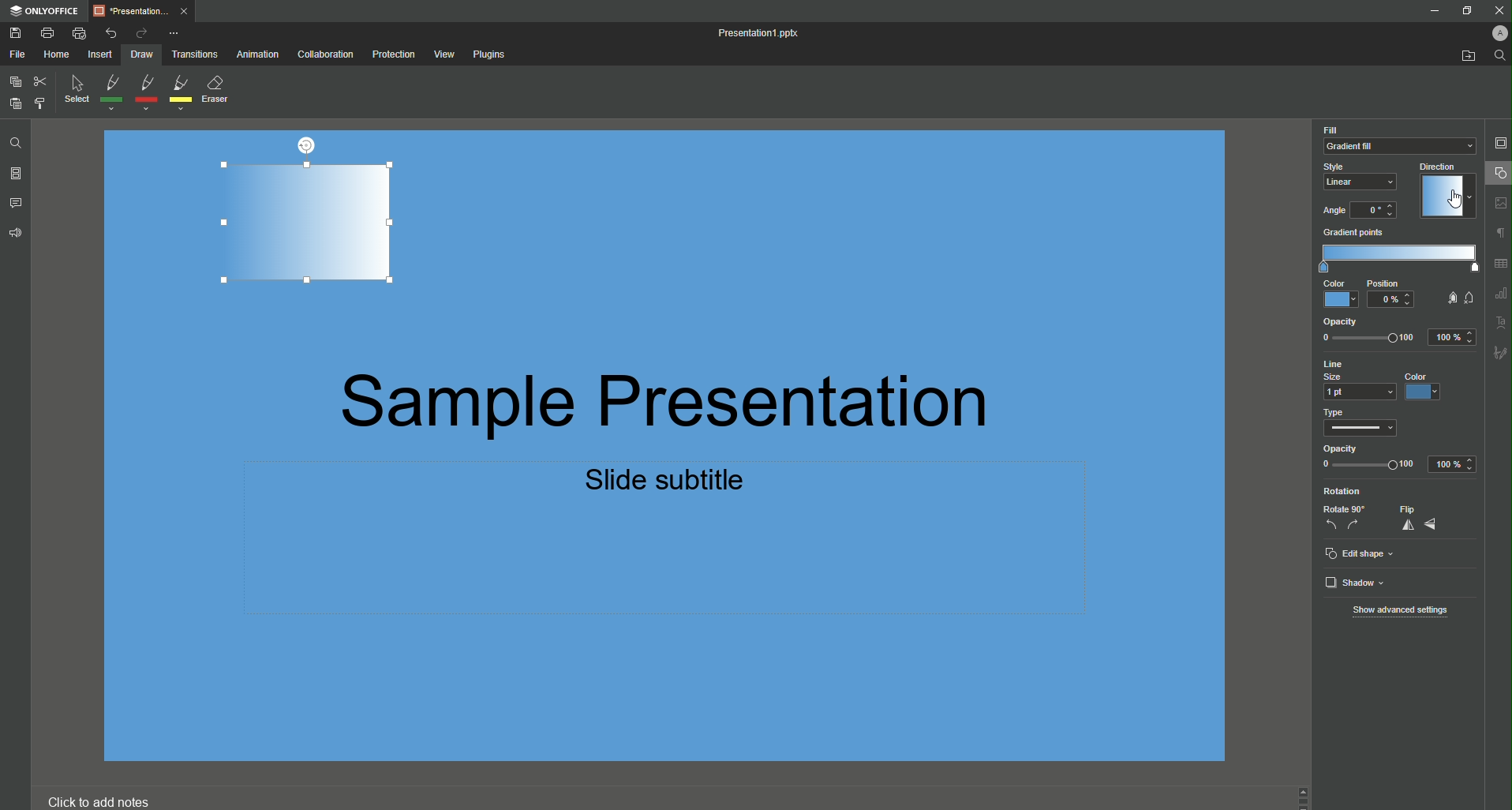 The width and height of the screenshot is (1512, 810). Describe the element at coordinates (1465, 12) in the screenshot. I see `Restore` at that location.